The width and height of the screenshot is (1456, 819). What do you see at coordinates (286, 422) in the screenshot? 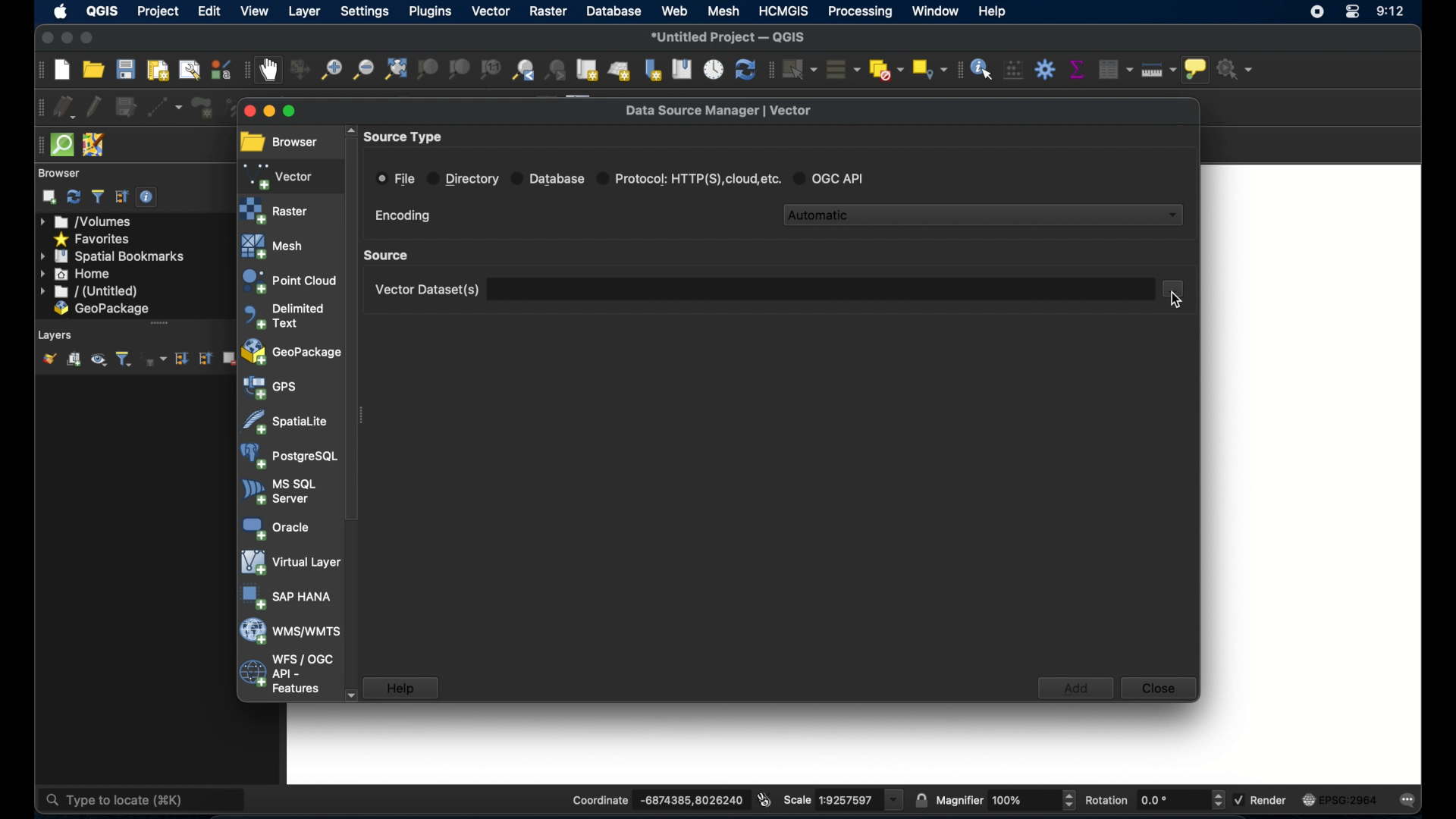
I see `spatiallite` at bounding box center [286, 422].